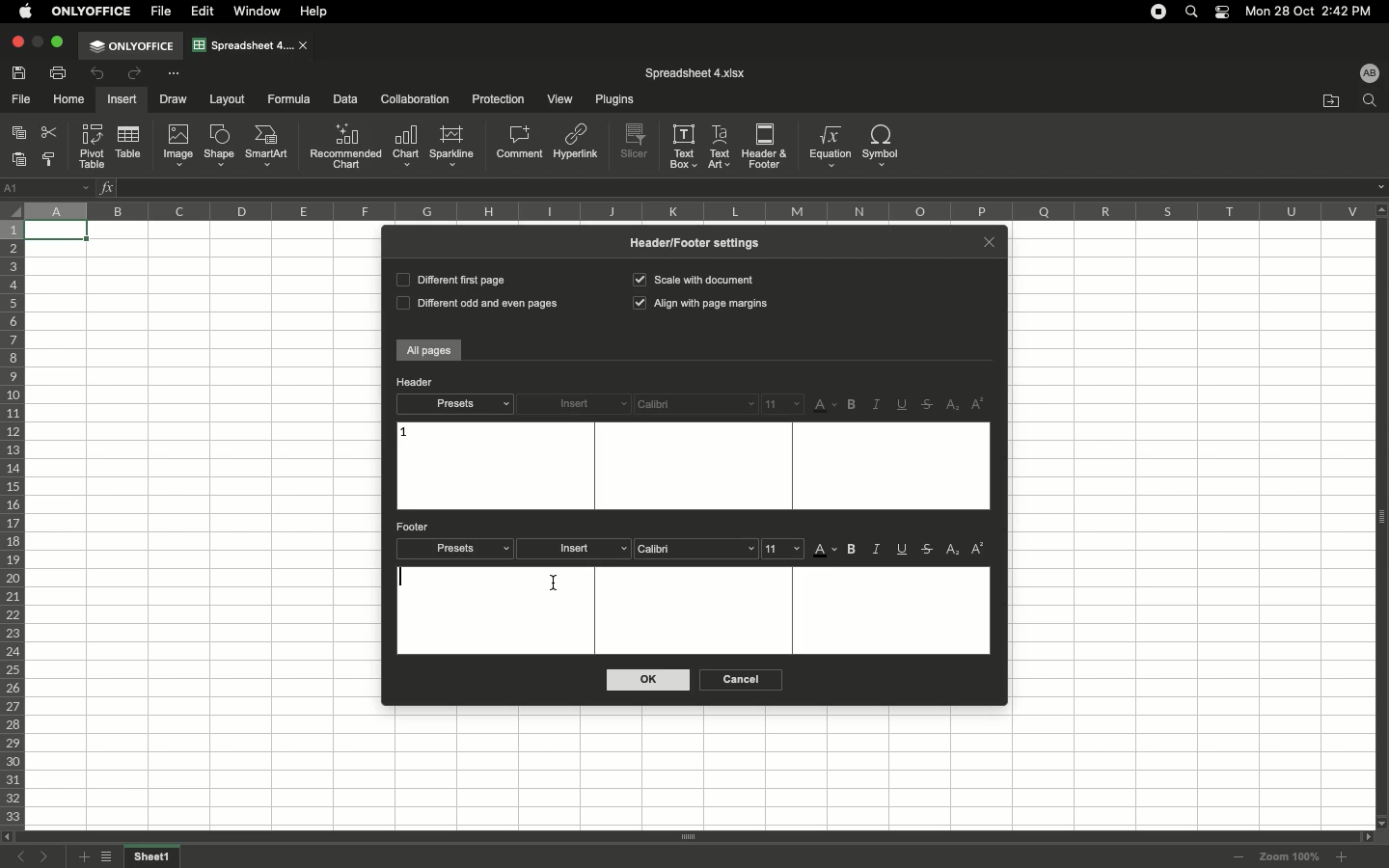 The height and width of the screenshot is (868, 1389). What do you see at coordinates (954, 550) in the screenshot?
I see `Subscript` at bounding box center [954, 550].